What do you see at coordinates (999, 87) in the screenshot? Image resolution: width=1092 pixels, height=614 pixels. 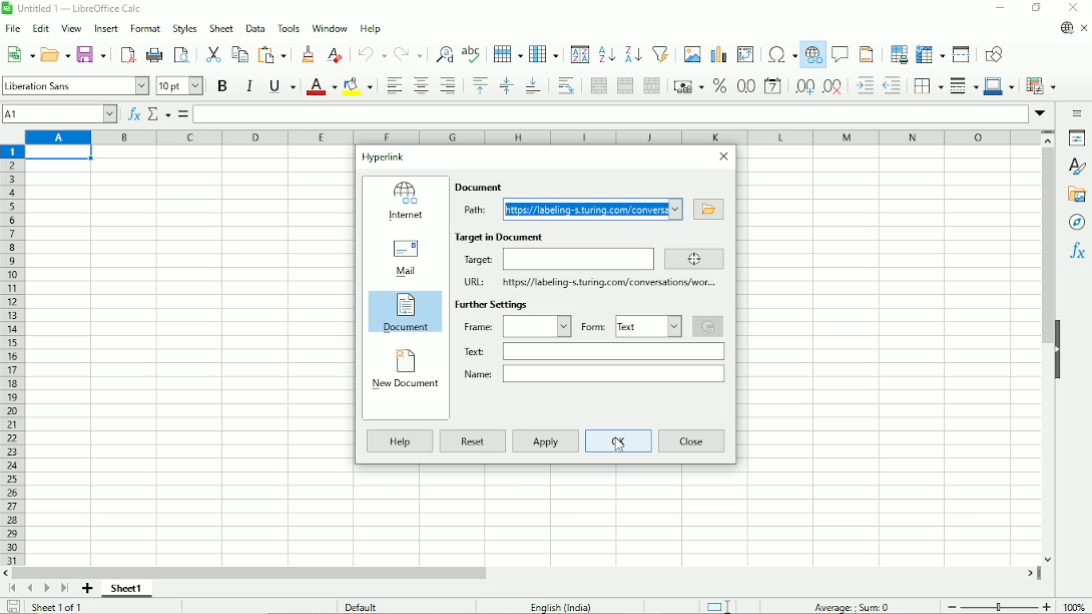 I see `Border color` at bounding box center [999, 87].